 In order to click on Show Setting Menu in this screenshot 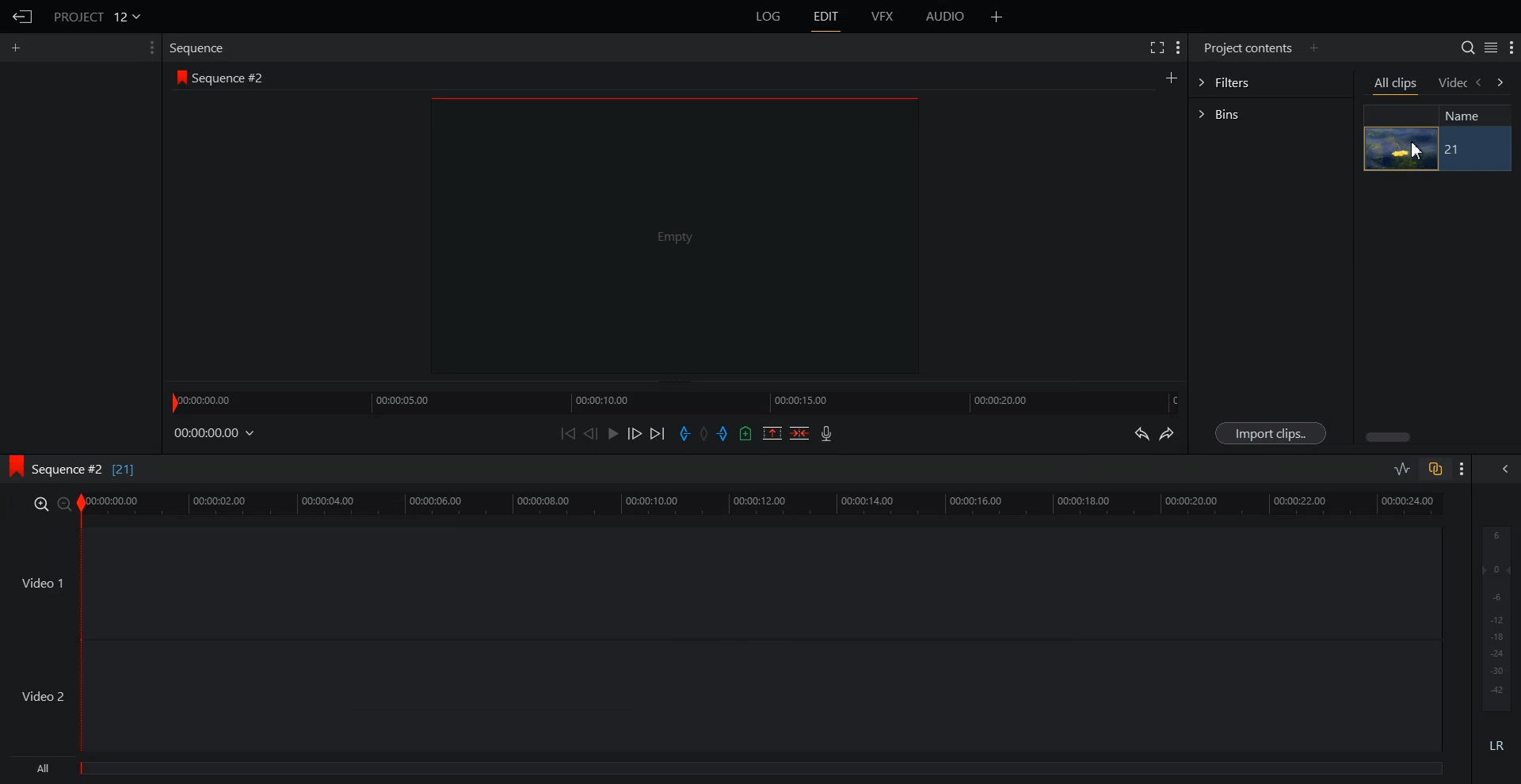, I will do `click(1462, 470)`.